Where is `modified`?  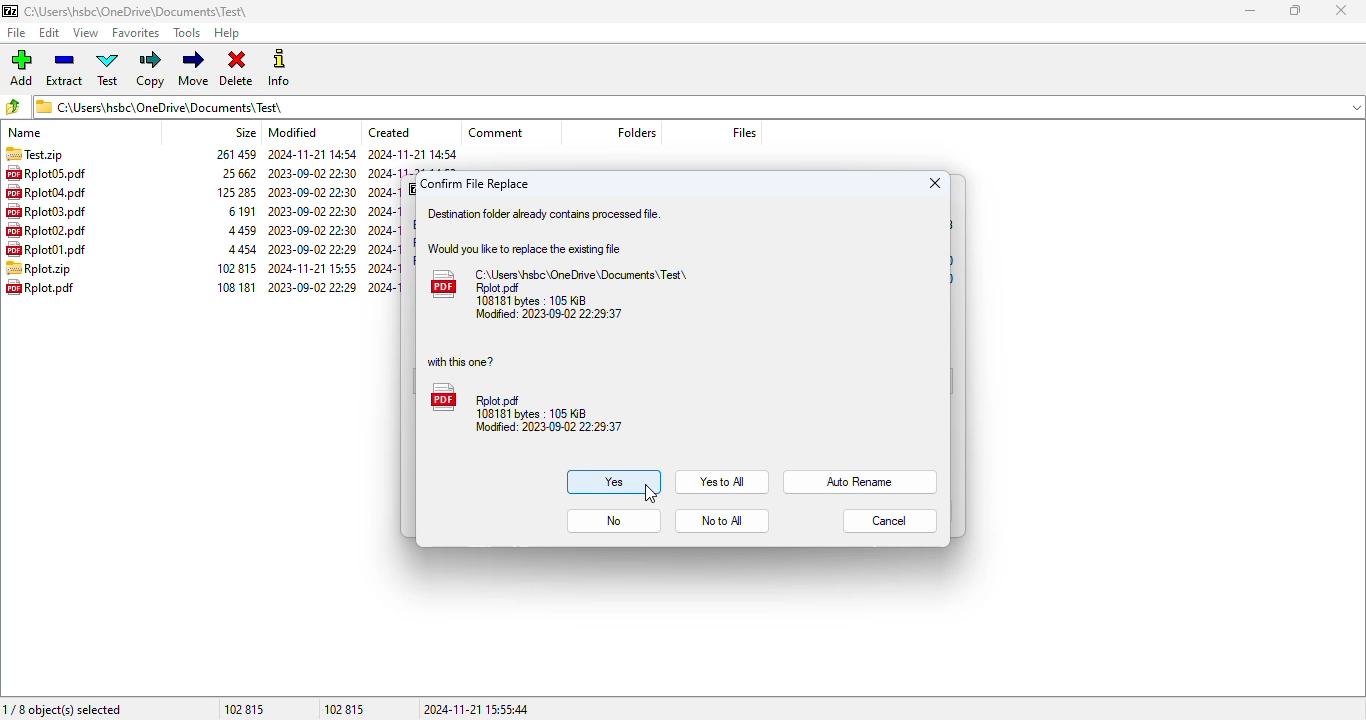 modified is located at coordinates (292, 133).